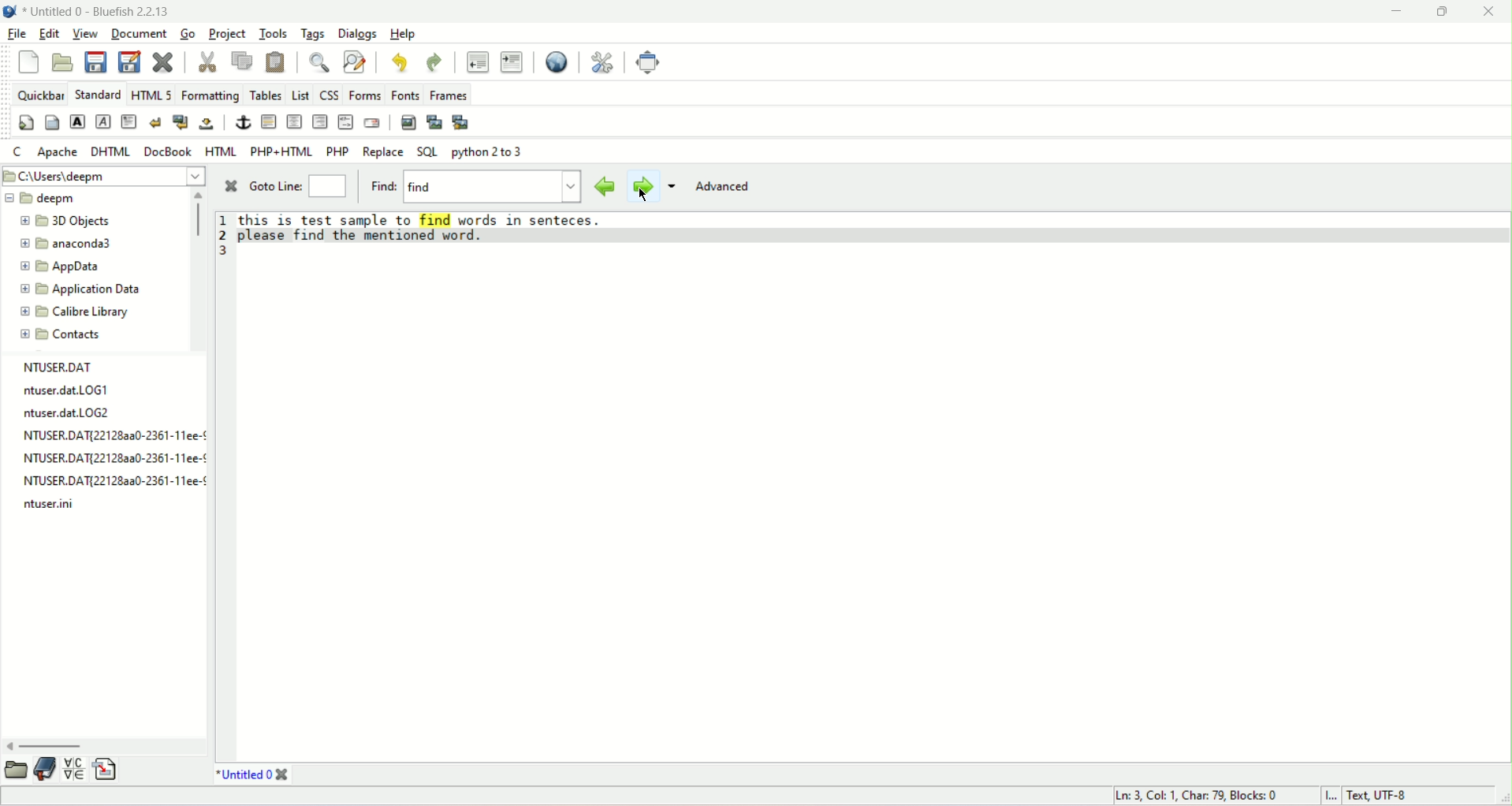 The image size is (1512, 806). Describe the element at coordinates (77, 121) in the screenshot. I see `strong` at that location.